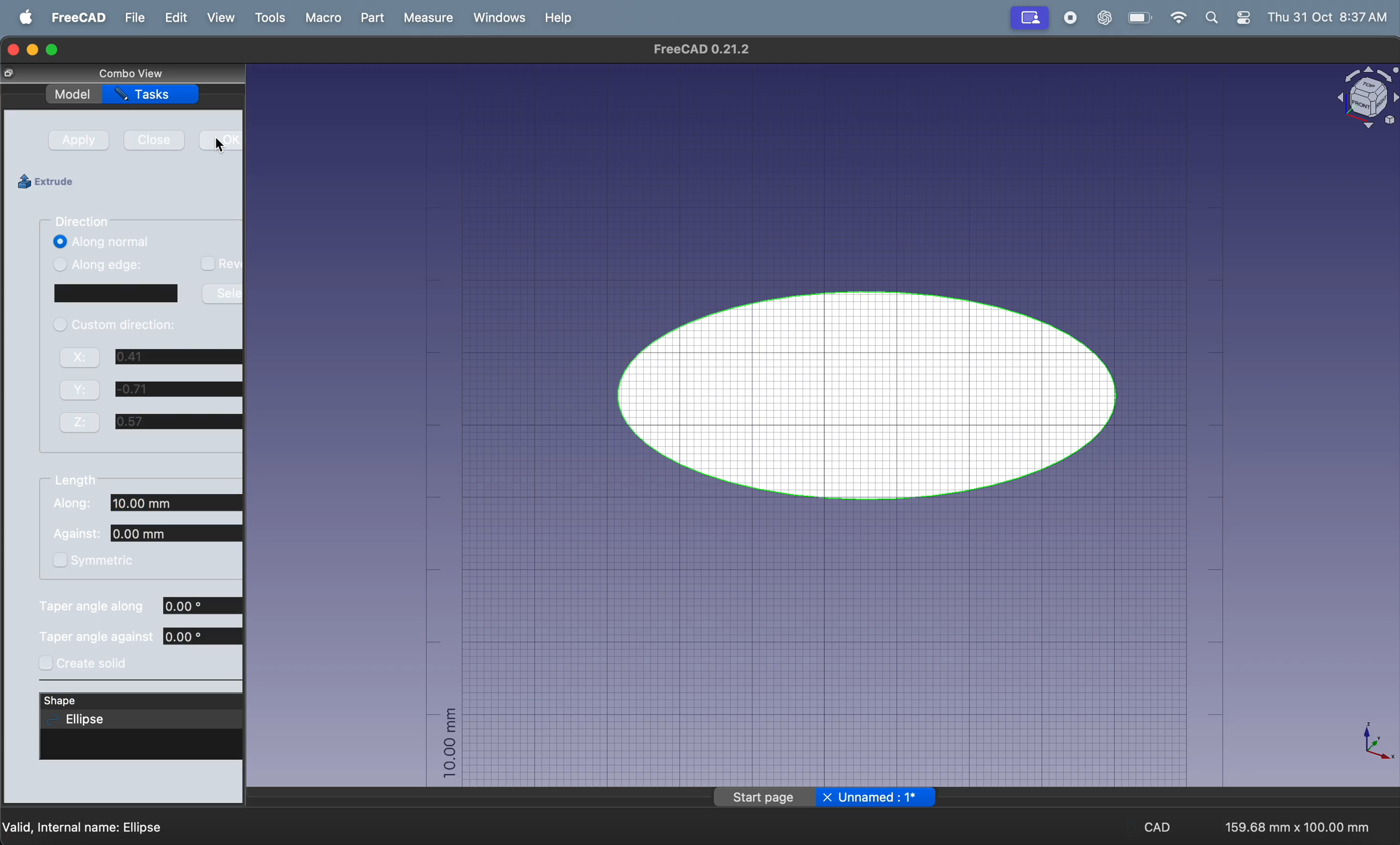 The image size is (1400, 845). What do you see at coordinates (165, 442) in the screenshot?
I see `value` at bounding box center [165, 442].